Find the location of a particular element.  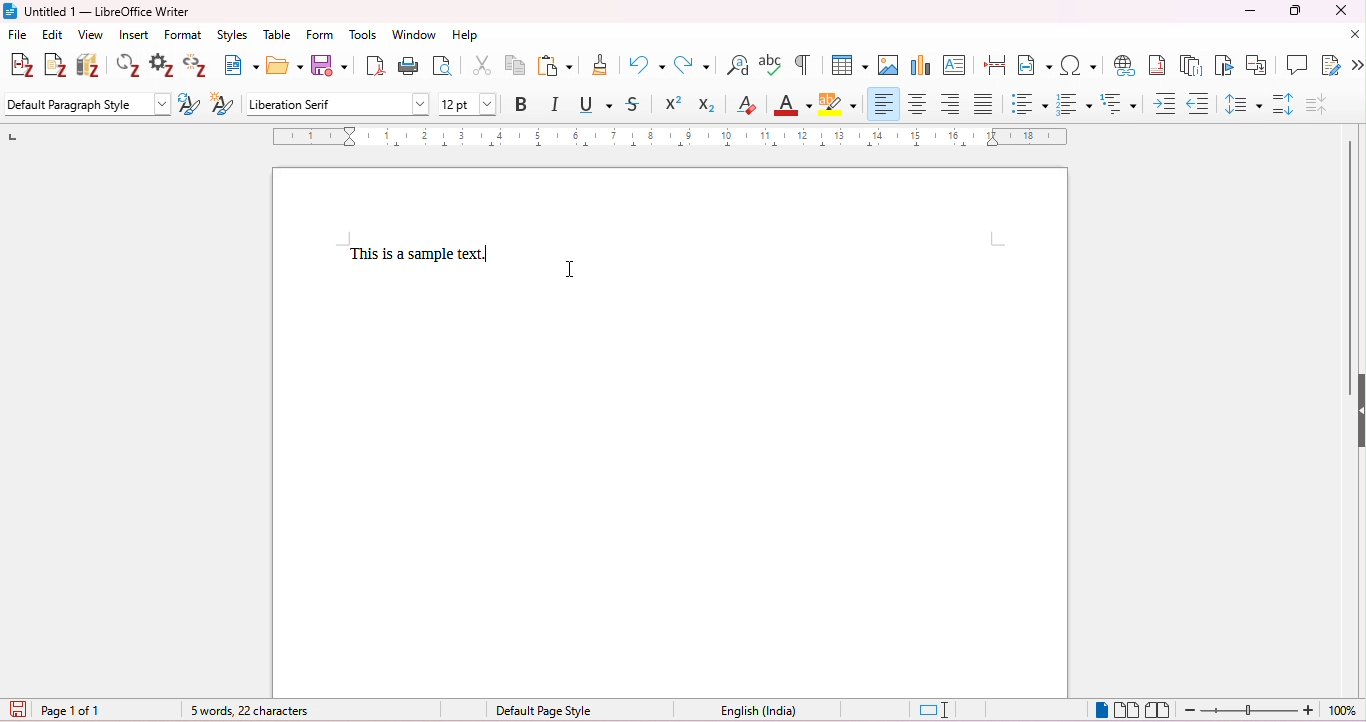

tools is located at coordinates (362, 35).